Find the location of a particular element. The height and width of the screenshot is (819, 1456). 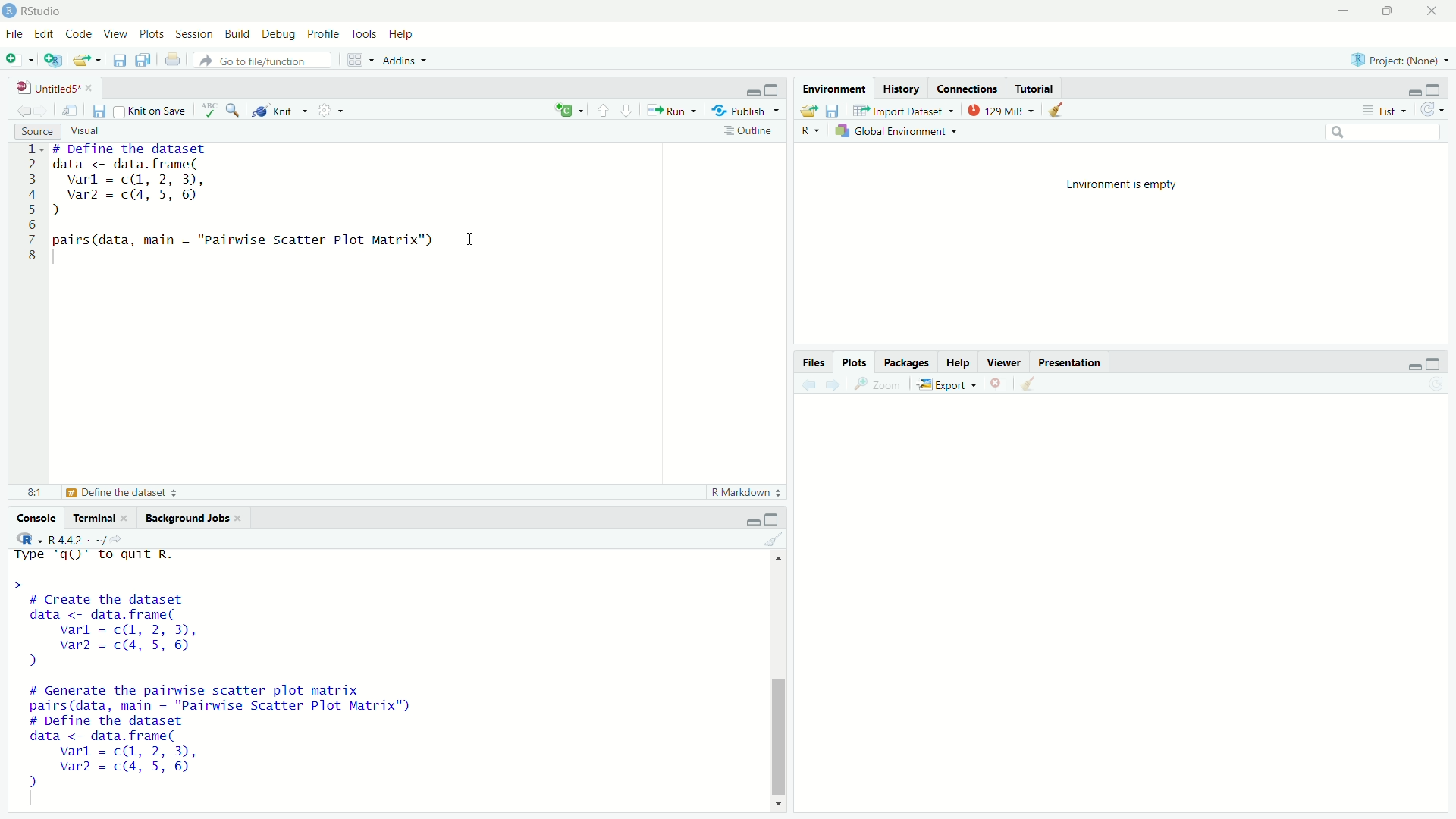

Console is located at coordinates (36, 519).